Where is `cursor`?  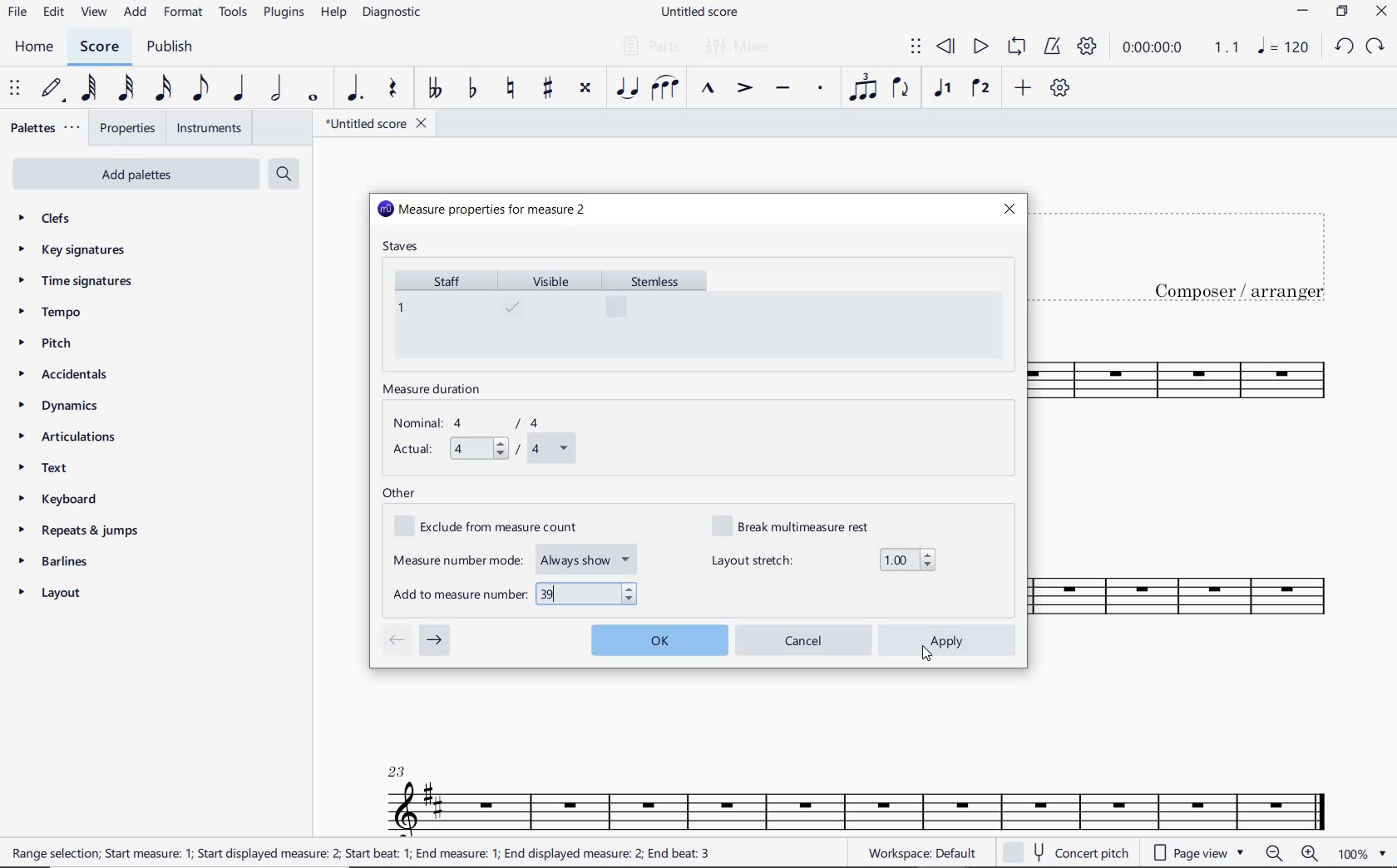
cursor is located at coordinates (928, 653).